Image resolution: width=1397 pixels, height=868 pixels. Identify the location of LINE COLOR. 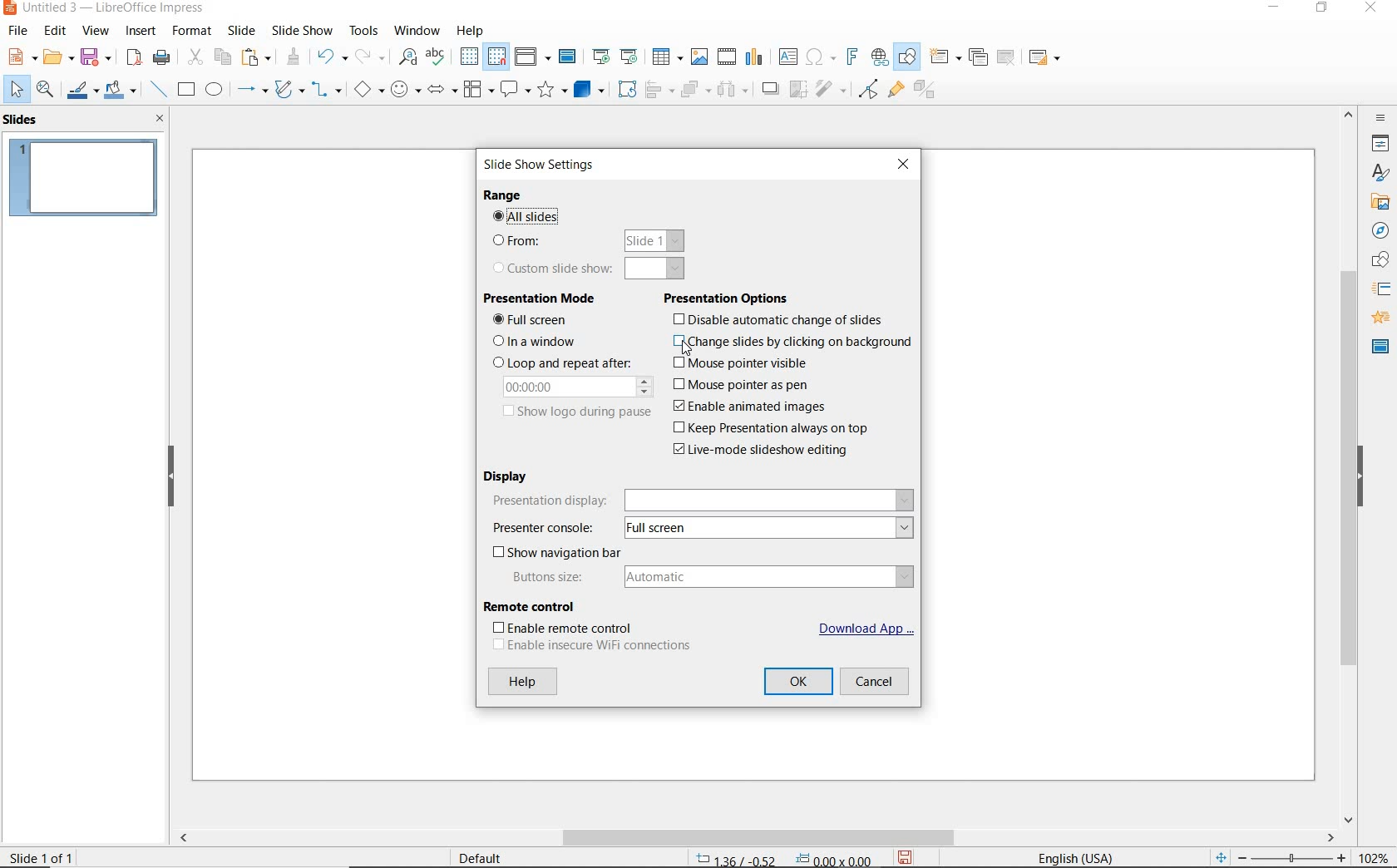
(80, 91).